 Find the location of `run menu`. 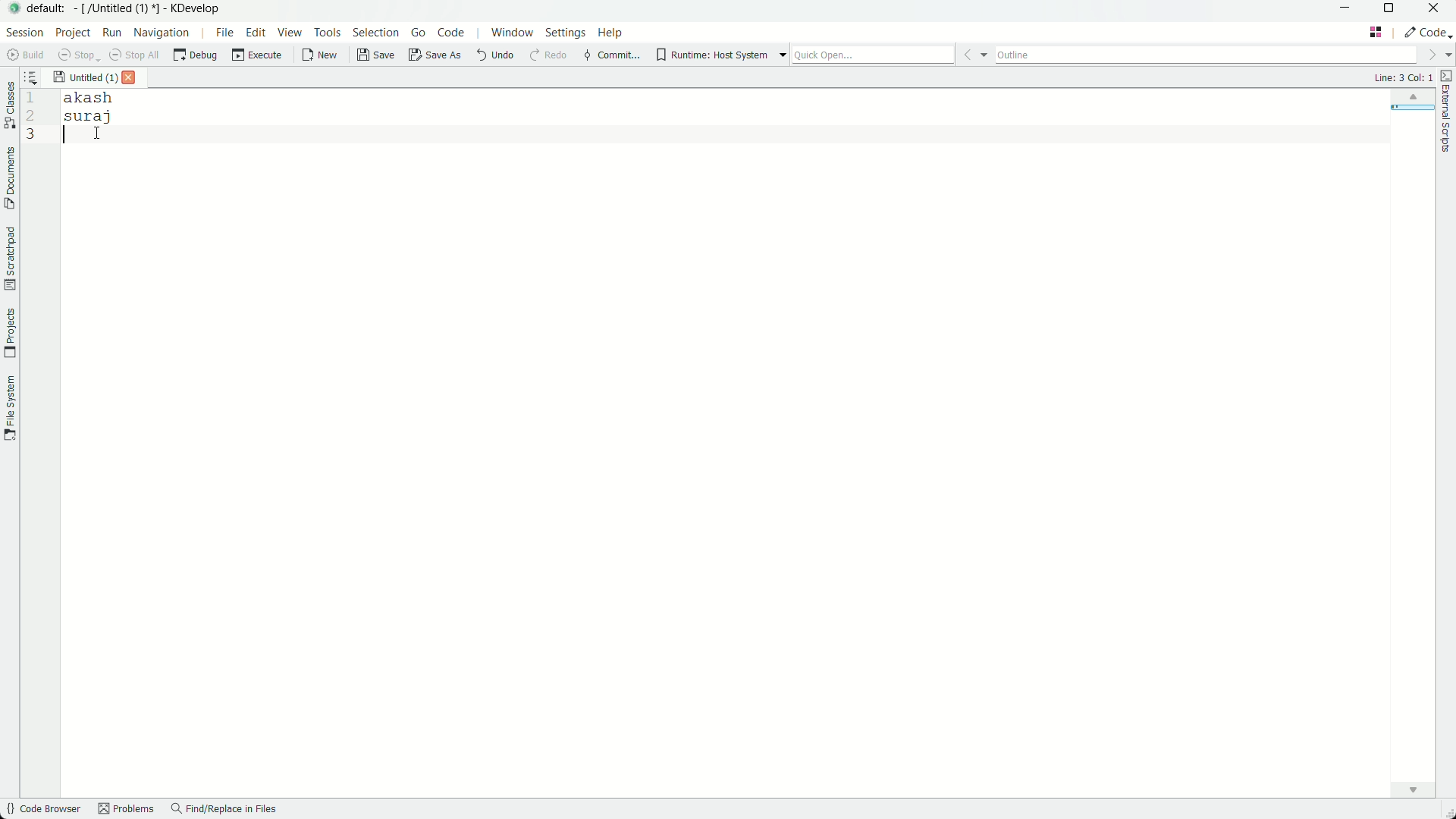

run menu is located at coordinates (111, 32).